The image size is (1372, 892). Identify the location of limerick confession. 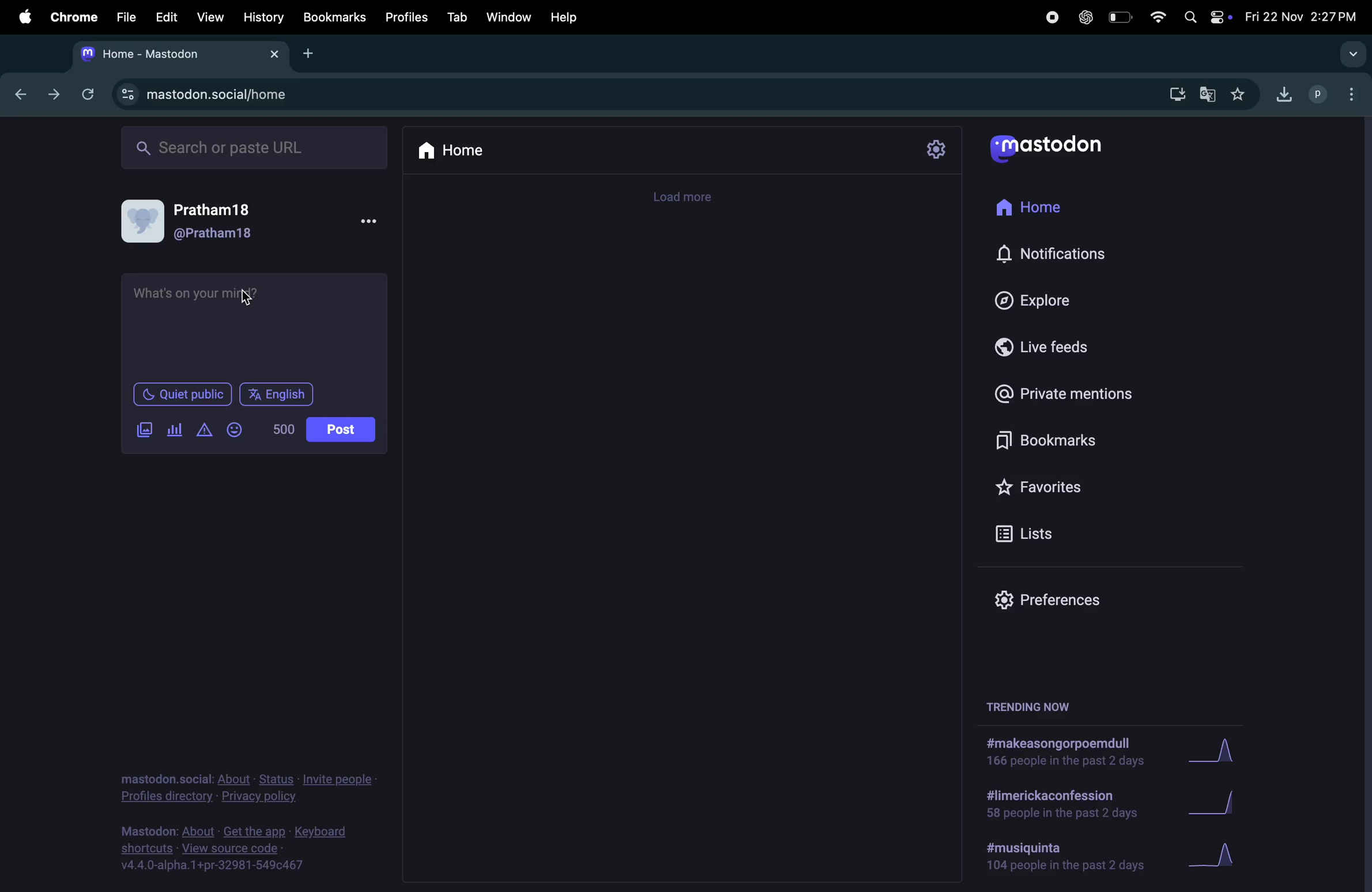
(1071, 801).